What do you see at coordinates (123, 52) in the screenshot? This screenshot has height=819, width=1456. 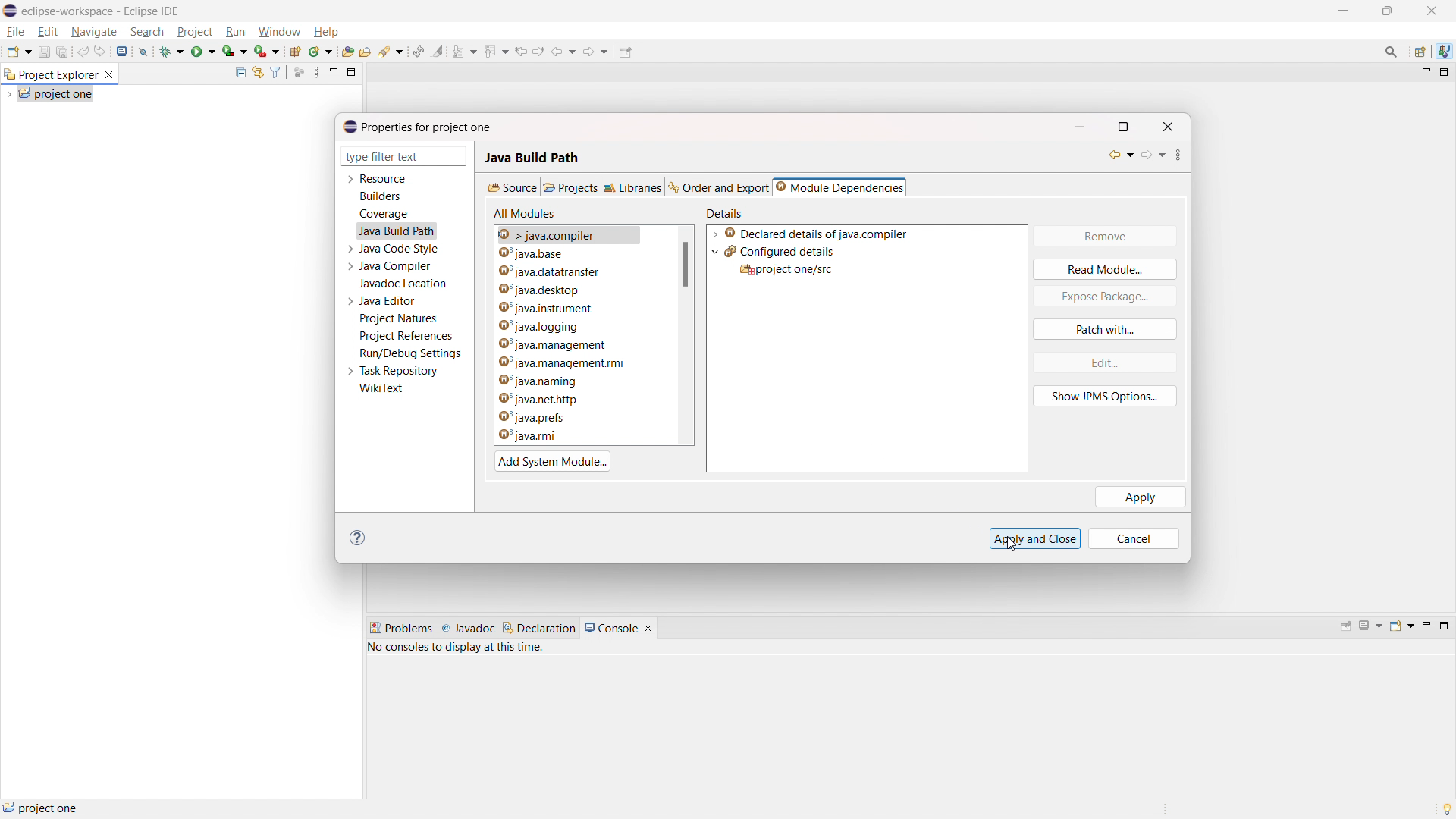 I see `open console` at bounding box center [123, 52].